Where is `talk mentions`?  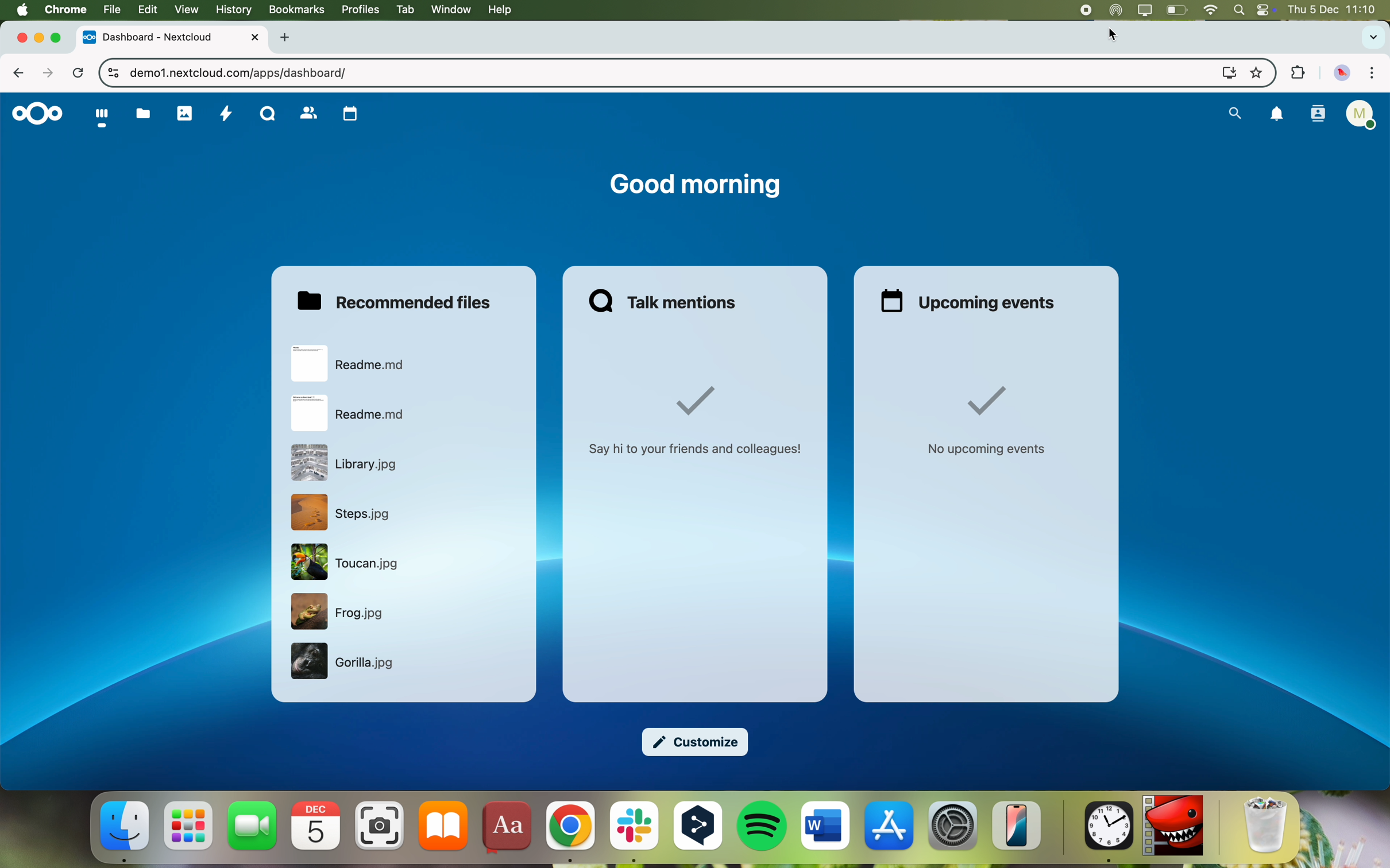
talk mentions is located at coordinates (667, 300).